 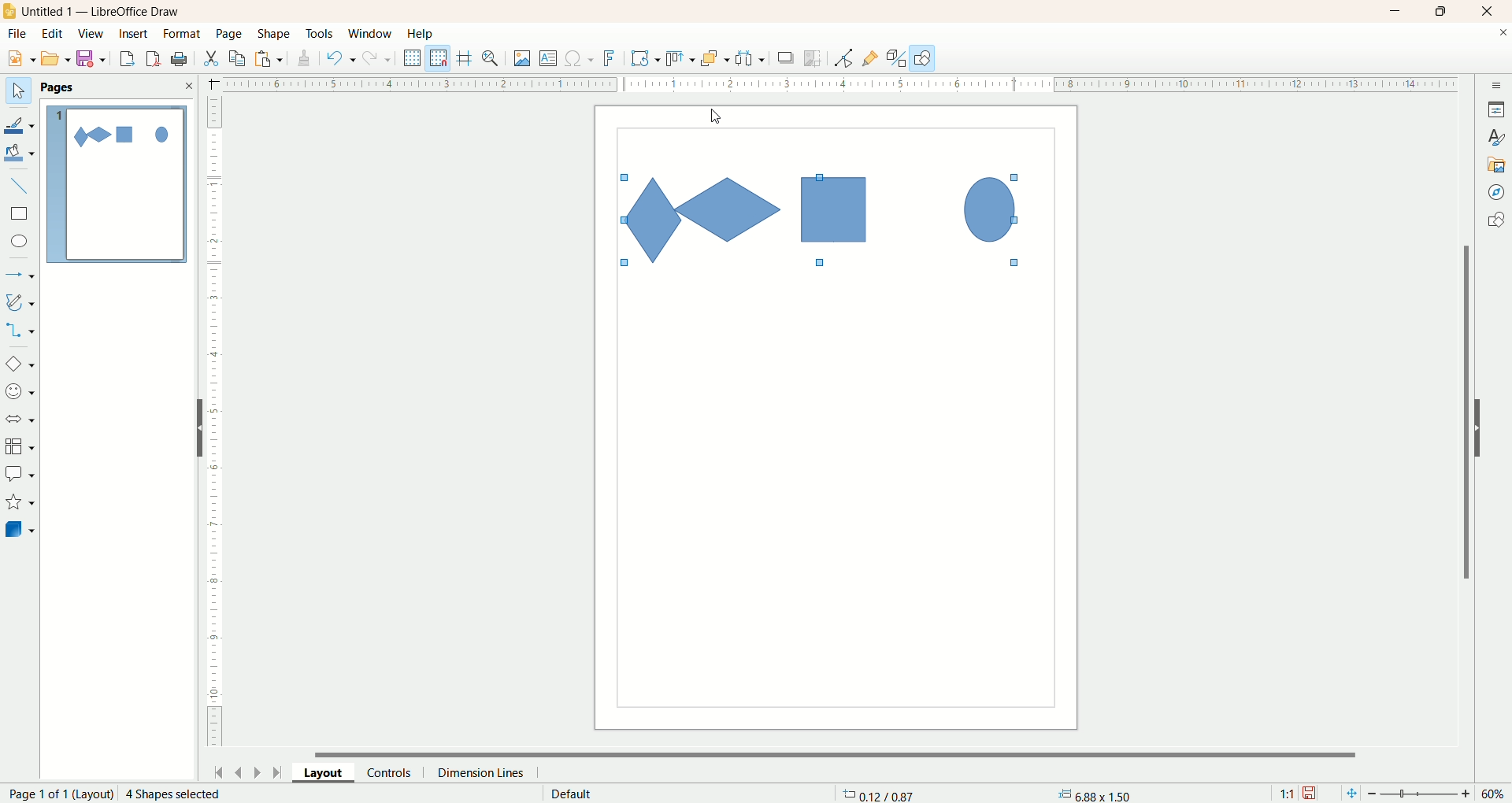 What do you see at coordinates (22, 393) in the screenshot?
I see `symbol shape` at bounding box center [22, 393].